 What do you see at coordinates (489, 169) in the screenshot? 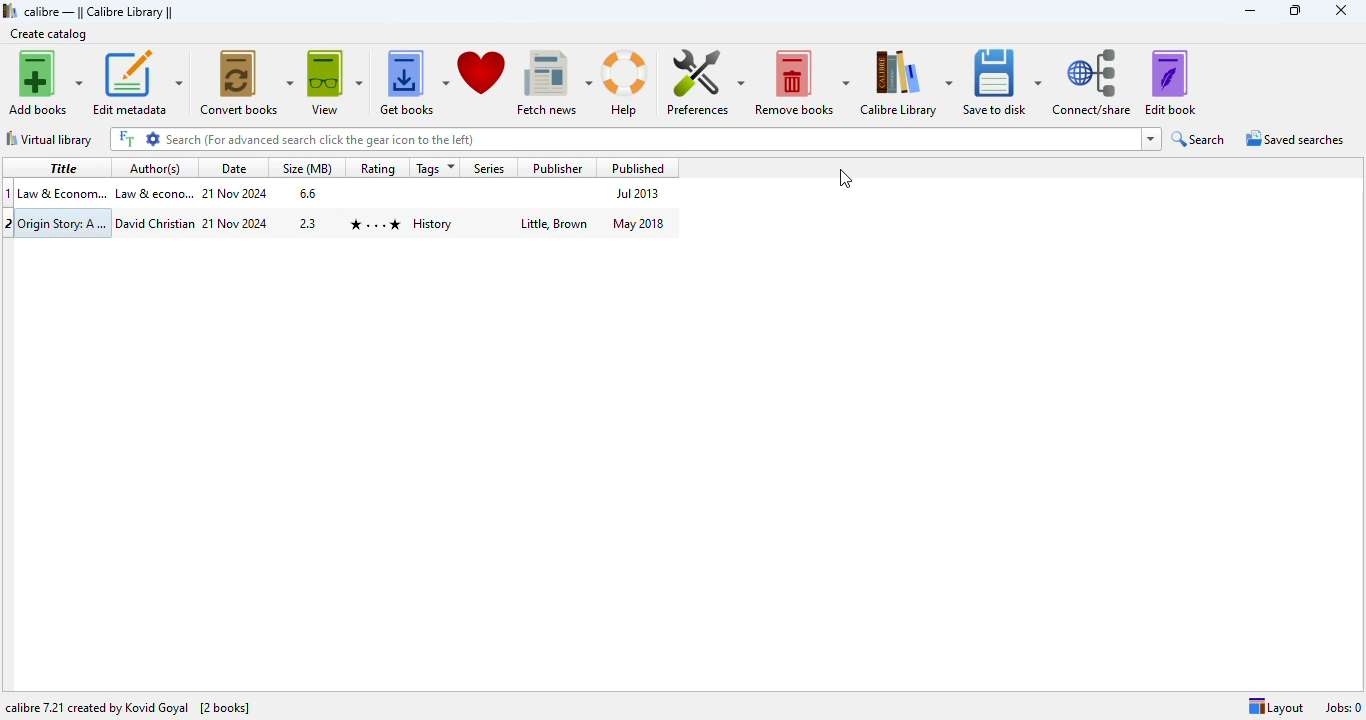
I see `series` at bounding box center [489, 169].